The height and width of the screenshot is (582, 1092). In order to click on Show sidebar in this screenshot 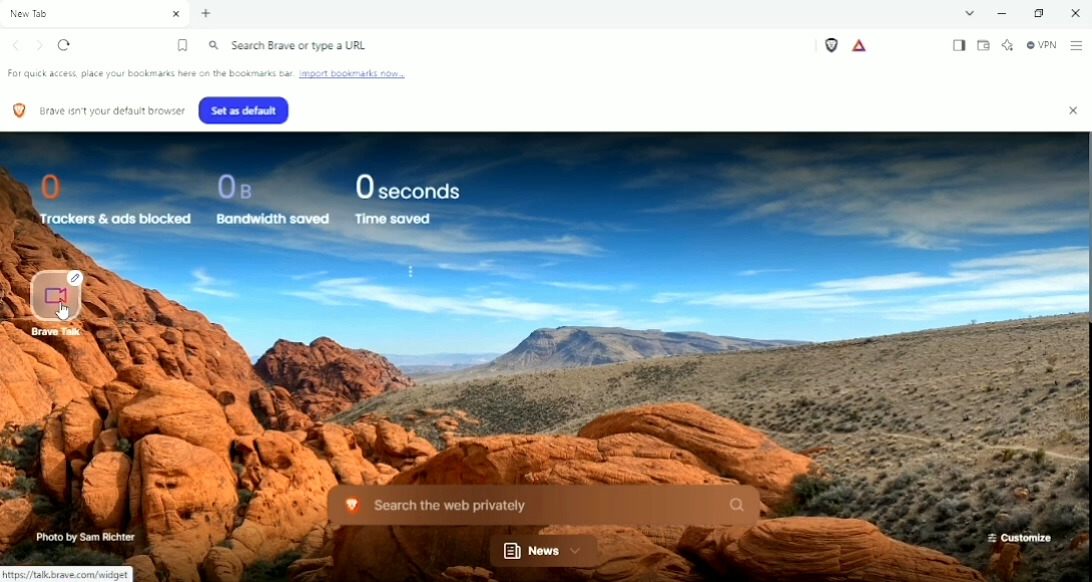, I will do `click(960, 45)`.